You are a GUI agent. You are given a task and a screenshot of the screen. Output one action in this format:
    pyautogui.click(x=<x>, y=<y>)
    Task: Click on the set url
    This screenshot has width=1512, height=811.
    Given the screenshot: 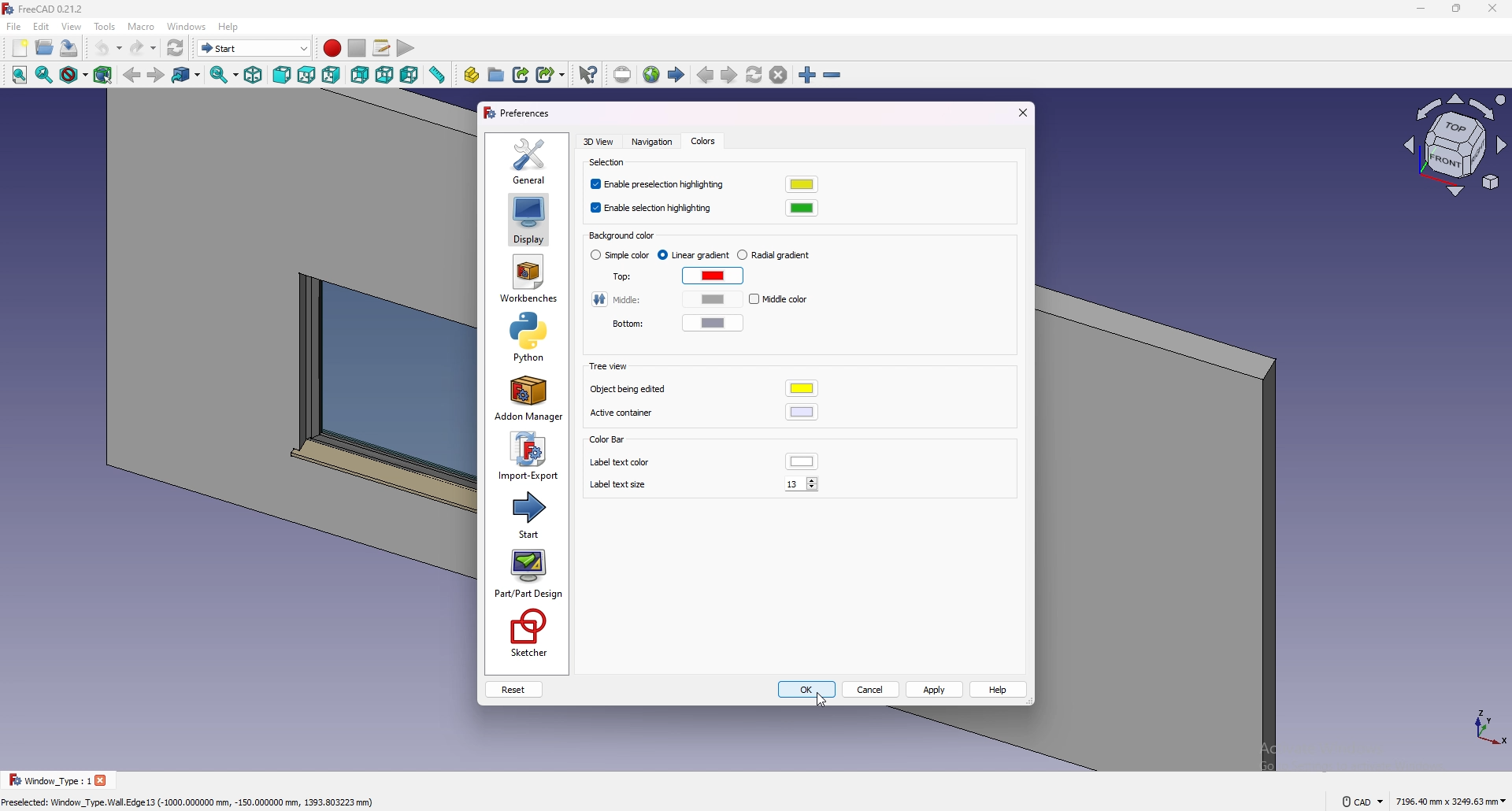 What is the action you would take?
    pyautogui.click(x=622, y=75)
    